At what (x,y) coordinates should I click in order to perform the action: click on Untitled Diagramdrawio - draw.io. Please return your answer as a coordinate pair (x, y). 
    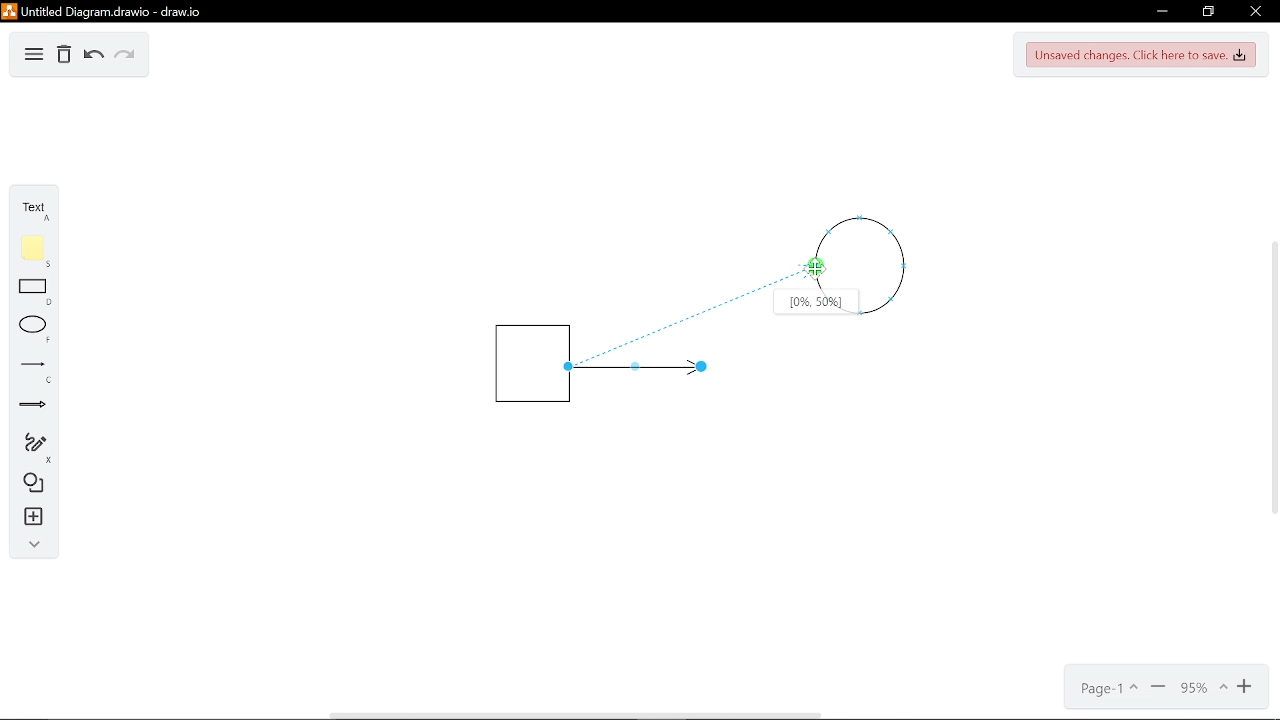
    Looking at the image, I should click on (104, 11).